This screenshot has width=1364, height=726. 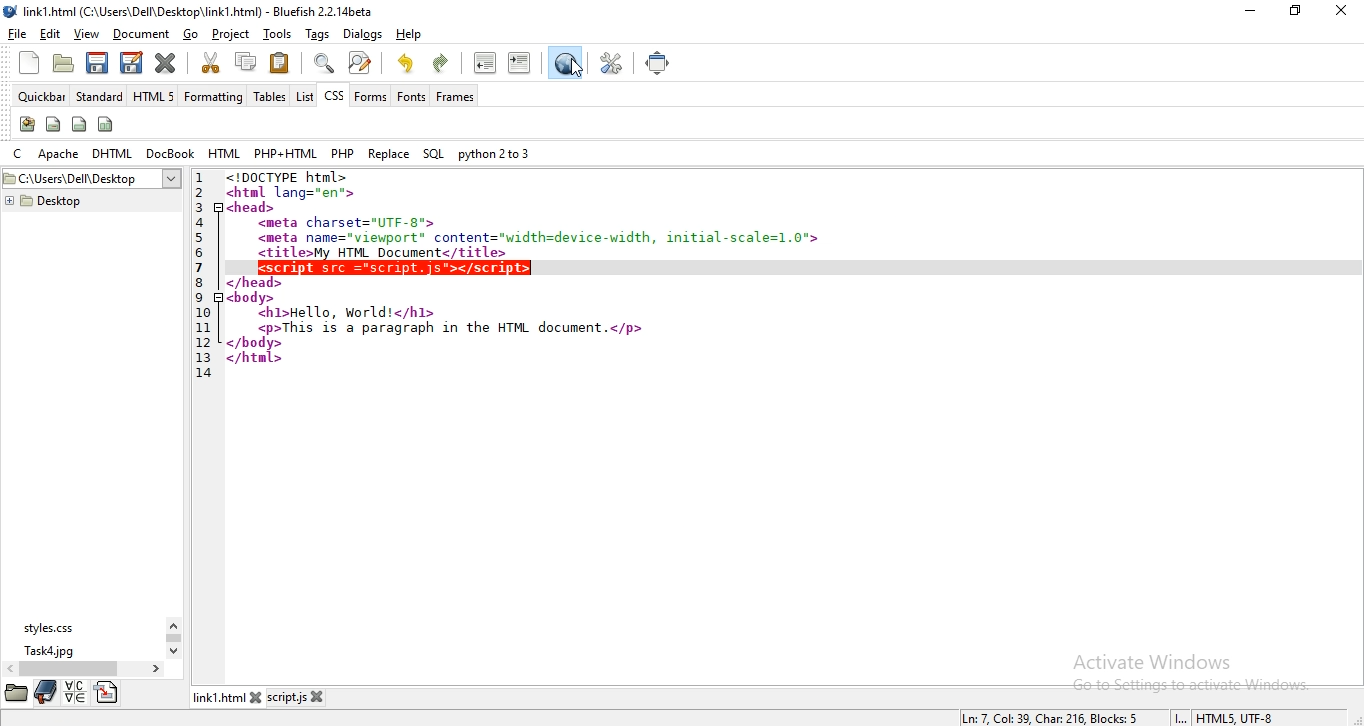 I want to click on span, so click(x=52, y=124).